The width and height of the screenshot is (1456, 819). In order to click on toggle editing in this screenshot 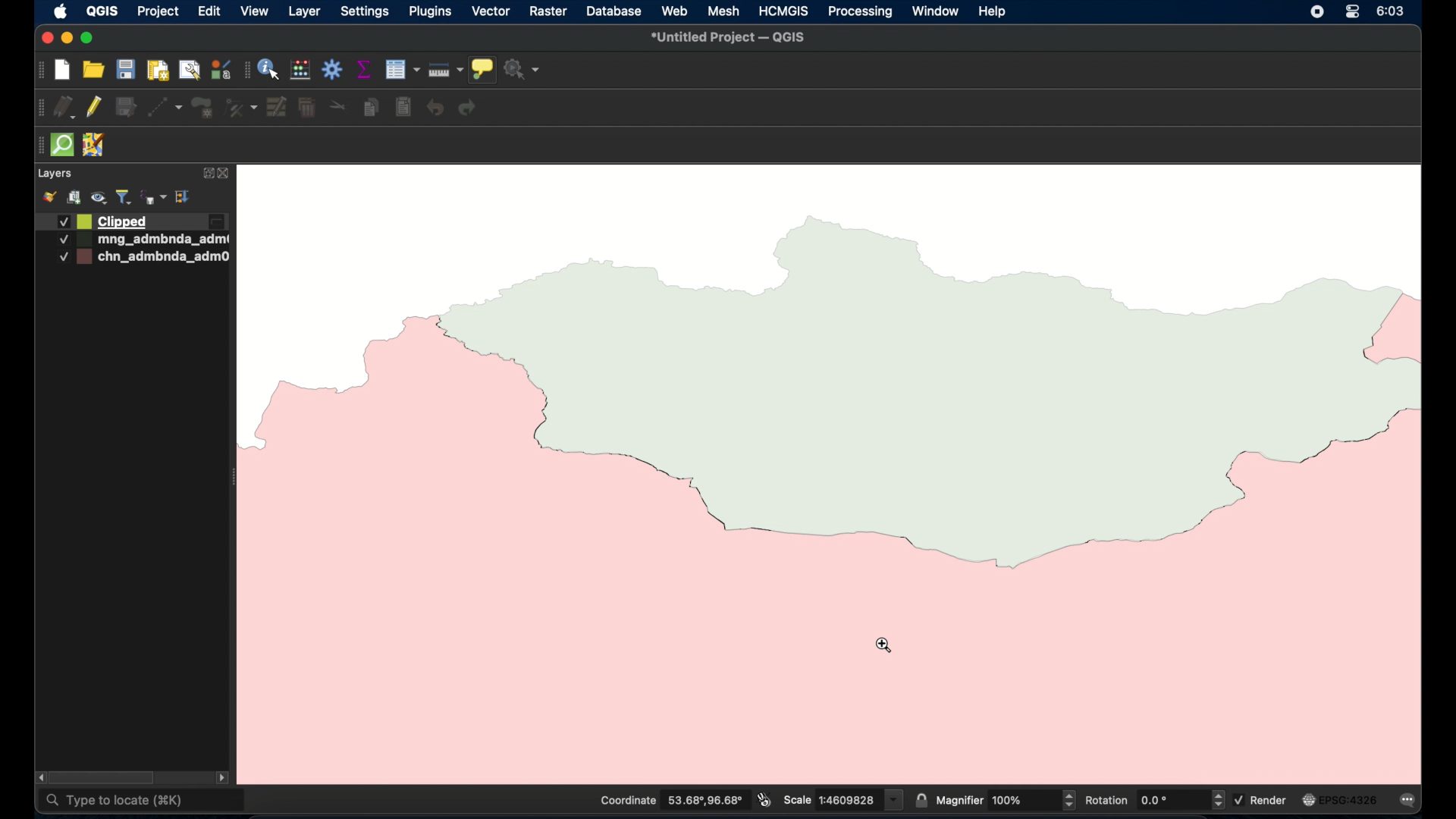, I will do `click(93, 106)`.